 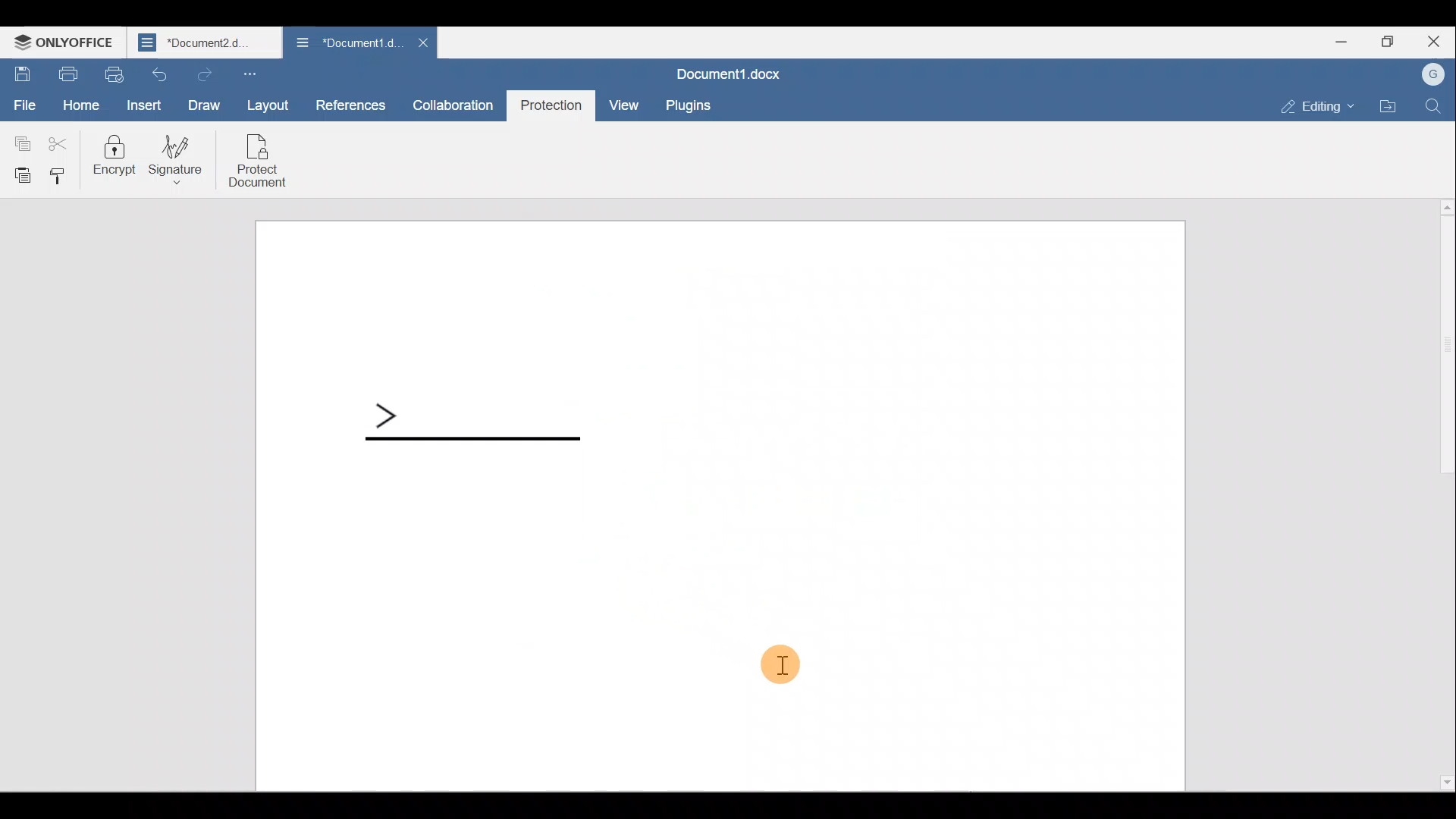 I want to click on Save, so click(x=21, y=73).